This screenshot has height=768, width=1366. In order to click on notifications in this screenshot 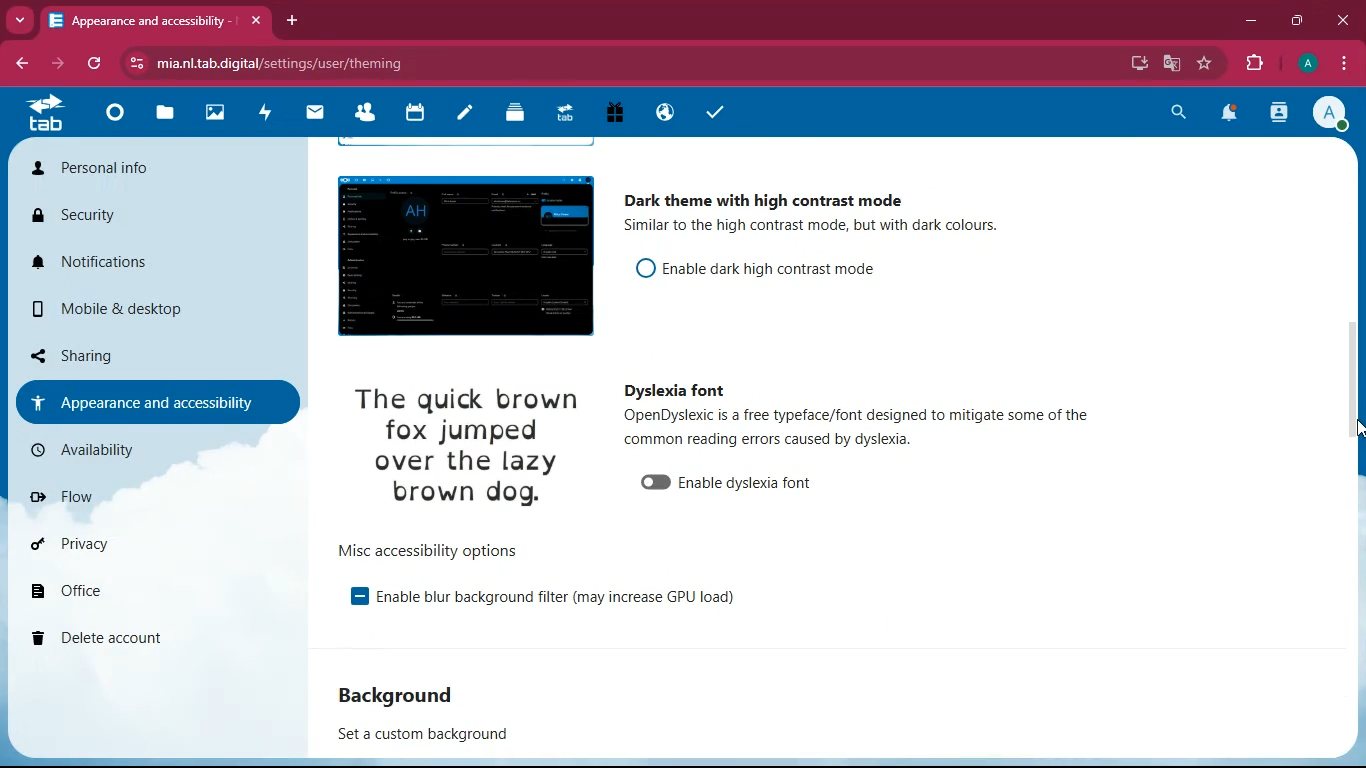, I will do `click(137, 261)`.